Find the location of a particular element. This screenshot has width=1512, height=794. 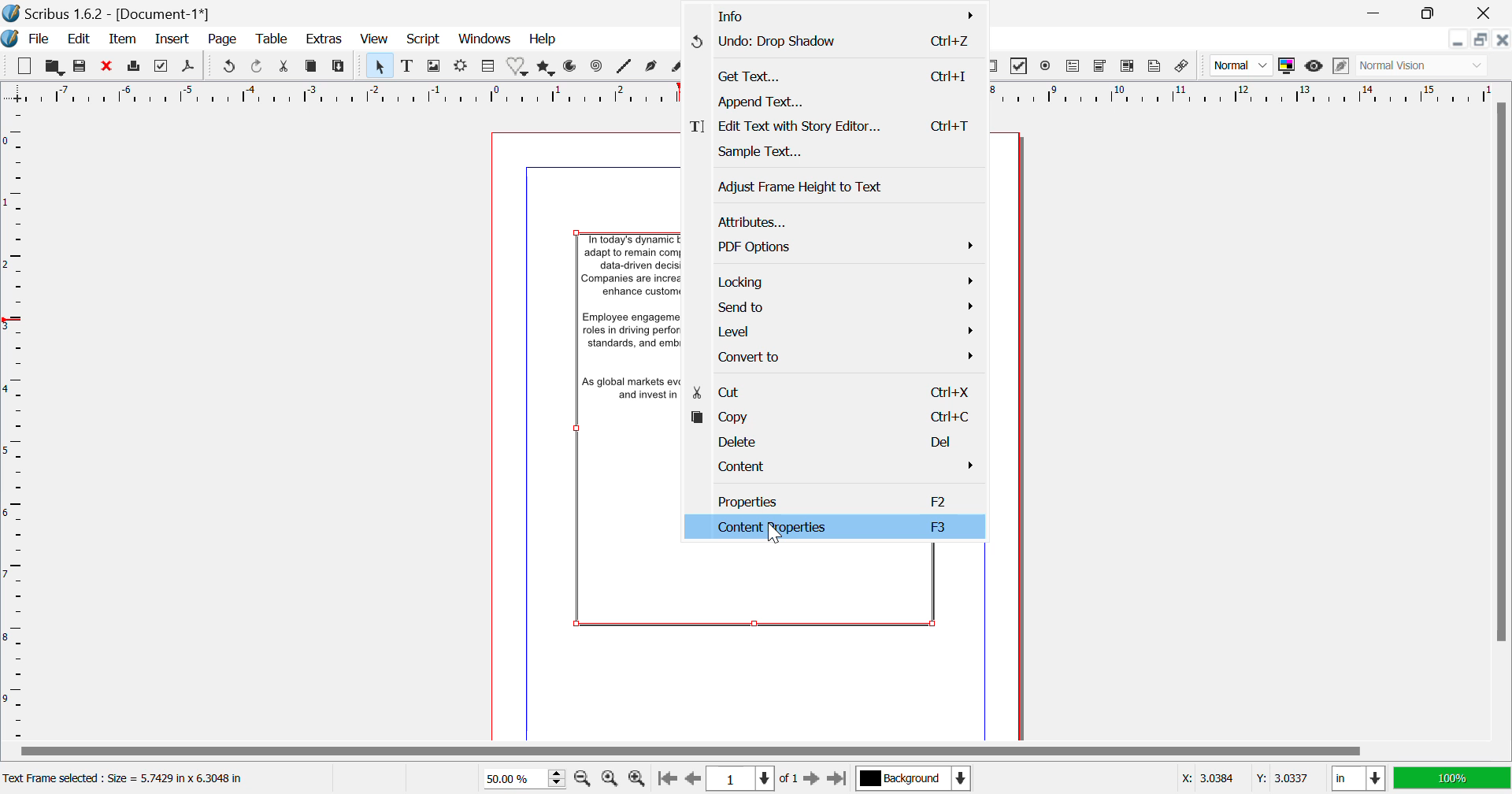

Spiral is located at coordinates (624, 66).